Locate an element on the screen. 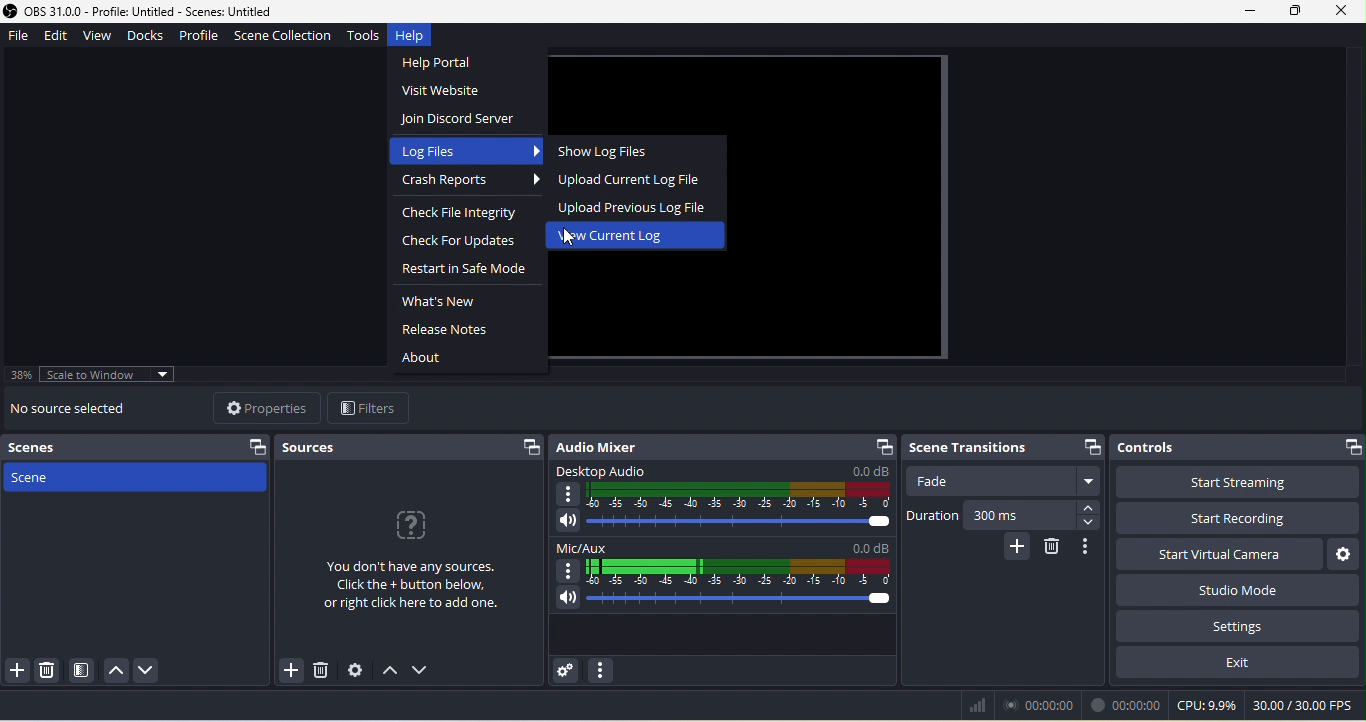 This screenshot has width=1366, height=722. profile is located at coordinates (201, 39).